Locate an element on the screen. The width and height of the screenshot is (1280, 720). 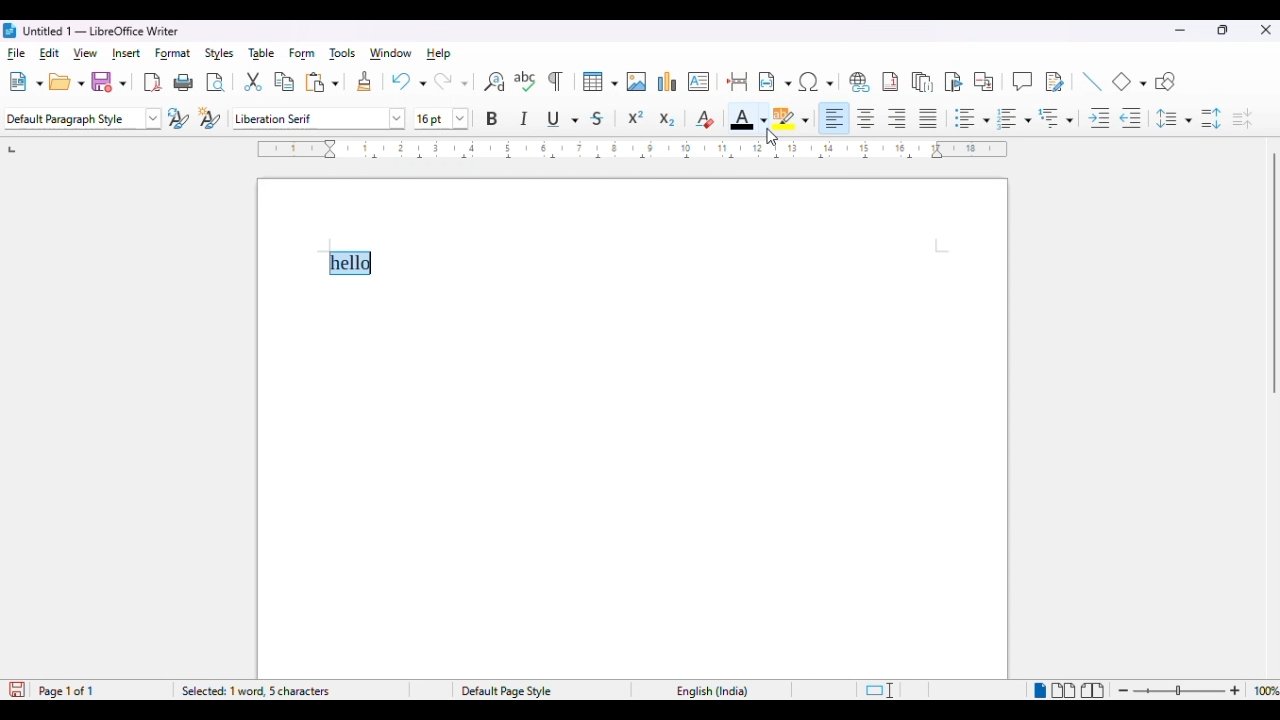
redo is located at coordinates (450, 81).